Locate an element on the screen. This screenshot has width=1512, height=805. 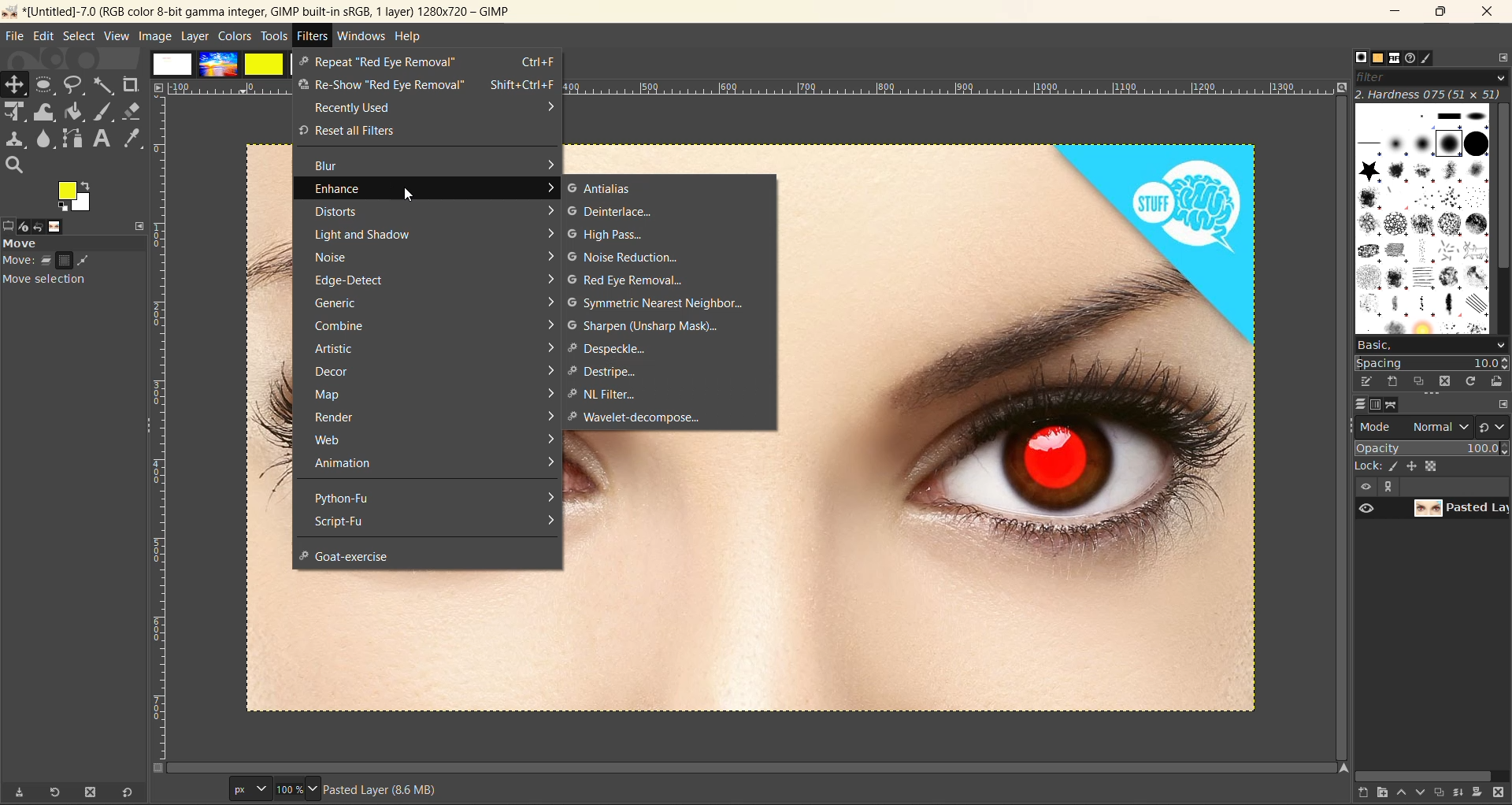
light and shadow is located at coordinates (433, 235).